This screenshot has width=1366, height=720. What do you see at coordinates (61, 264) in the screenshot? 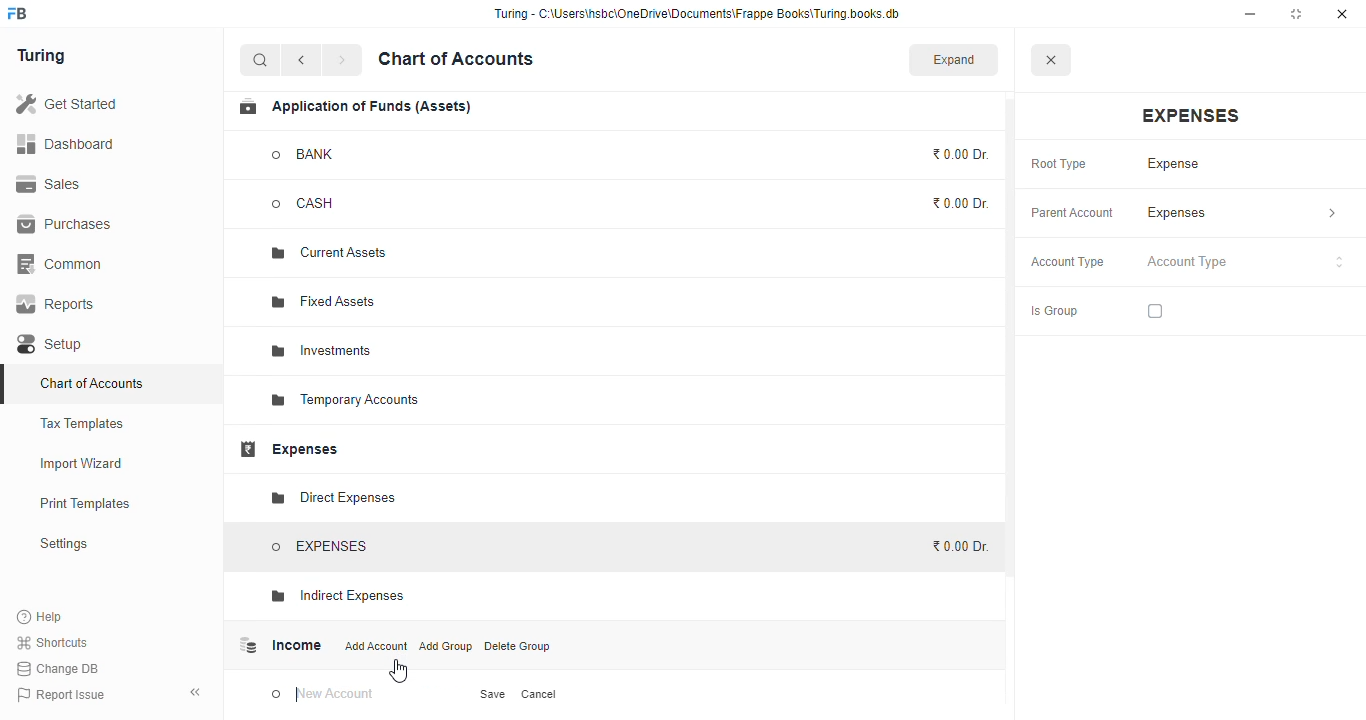
I see `common` at bounding box center [61, 264].